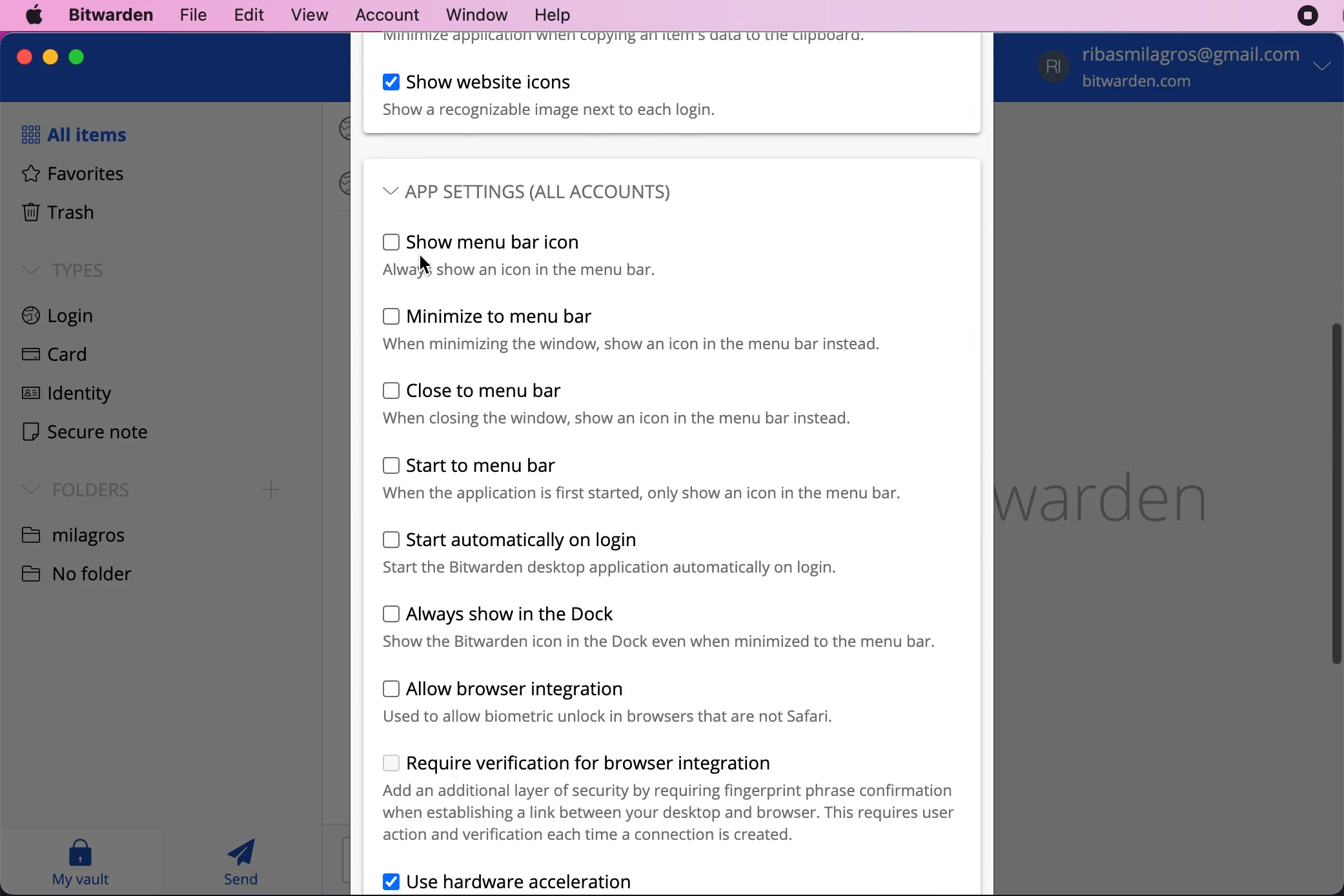 The width and height of the screenshot is (1344, 896). What do you see at coordinates (50, 356) in the screenshot?
I see `card` at bounding box center [50, 356].